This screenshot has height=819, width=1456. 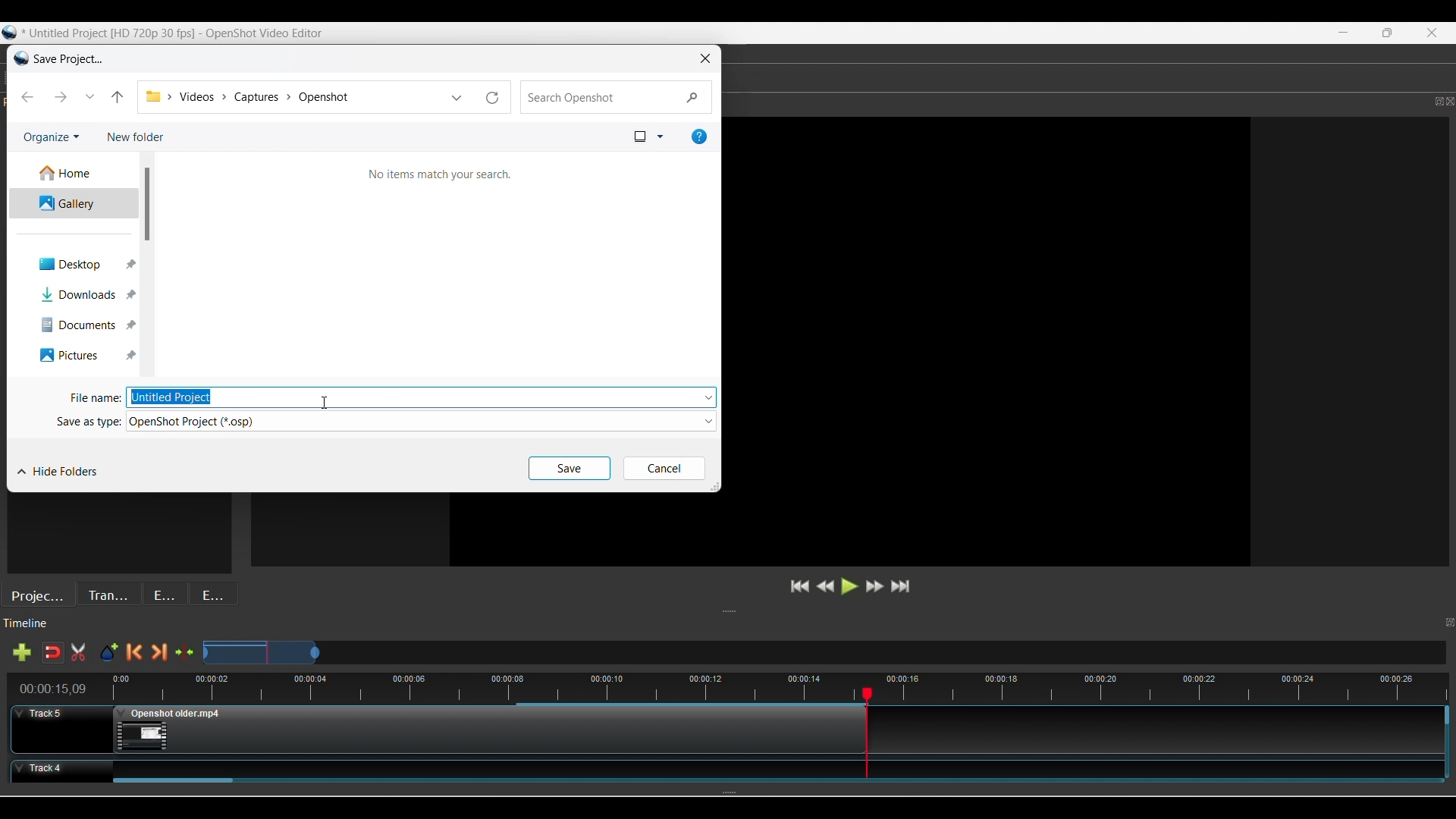 I want to click on Window name, so click(x=72, y=58).